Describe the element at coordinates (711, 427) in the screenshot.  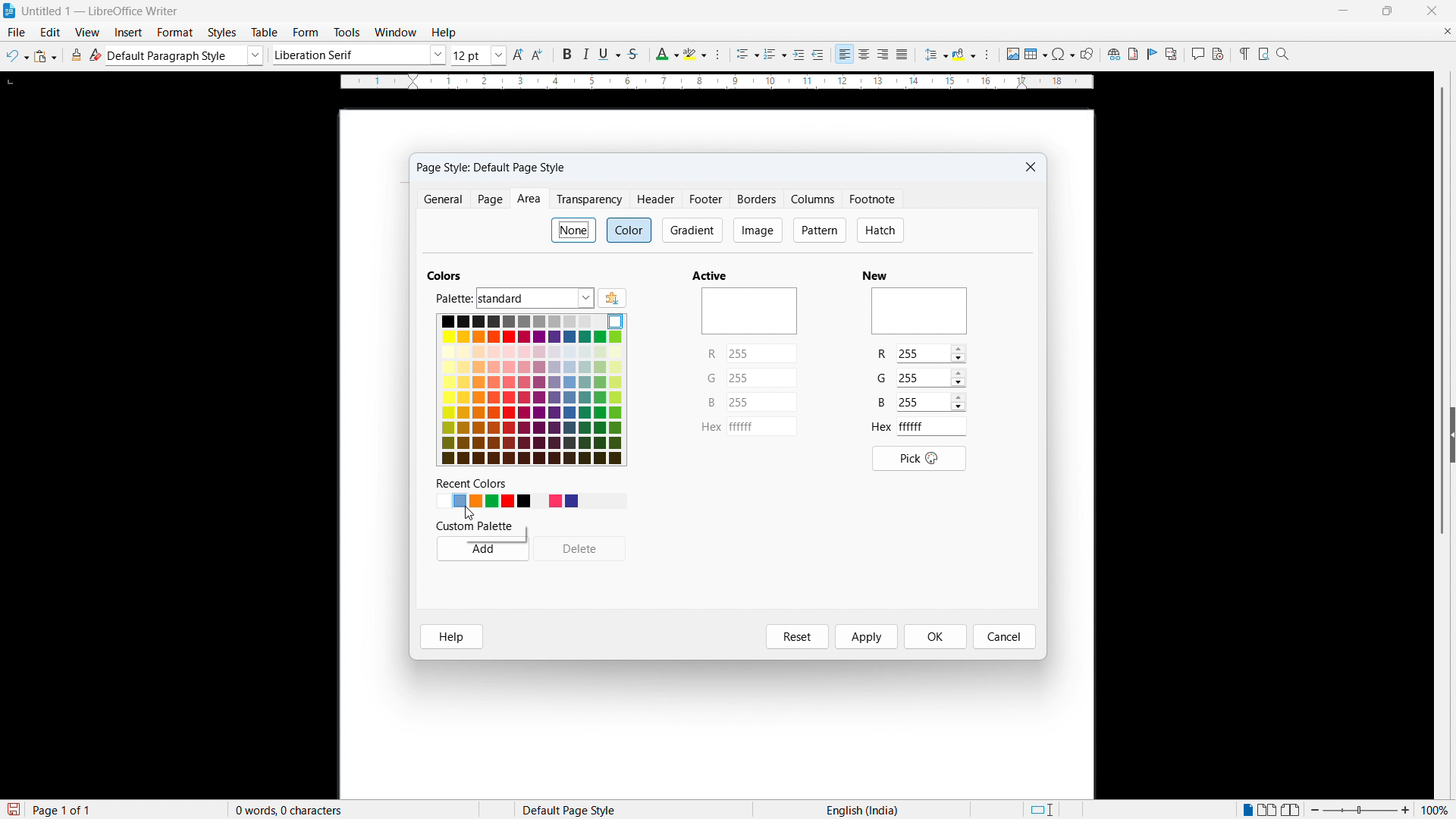
I see `hex` at that location.